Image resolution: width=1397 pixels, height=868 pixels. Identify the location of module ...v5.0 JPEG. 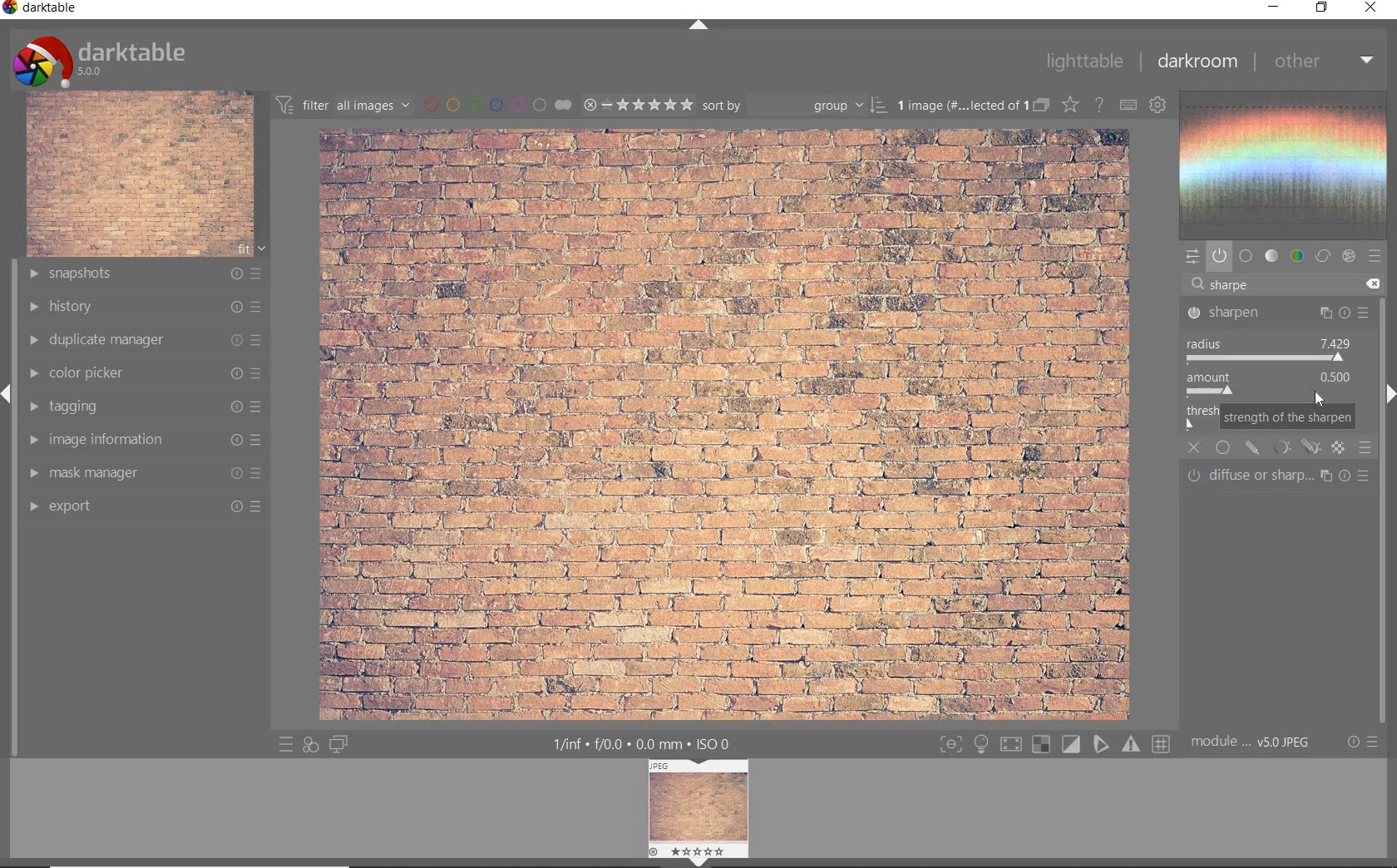
(1251, 744).